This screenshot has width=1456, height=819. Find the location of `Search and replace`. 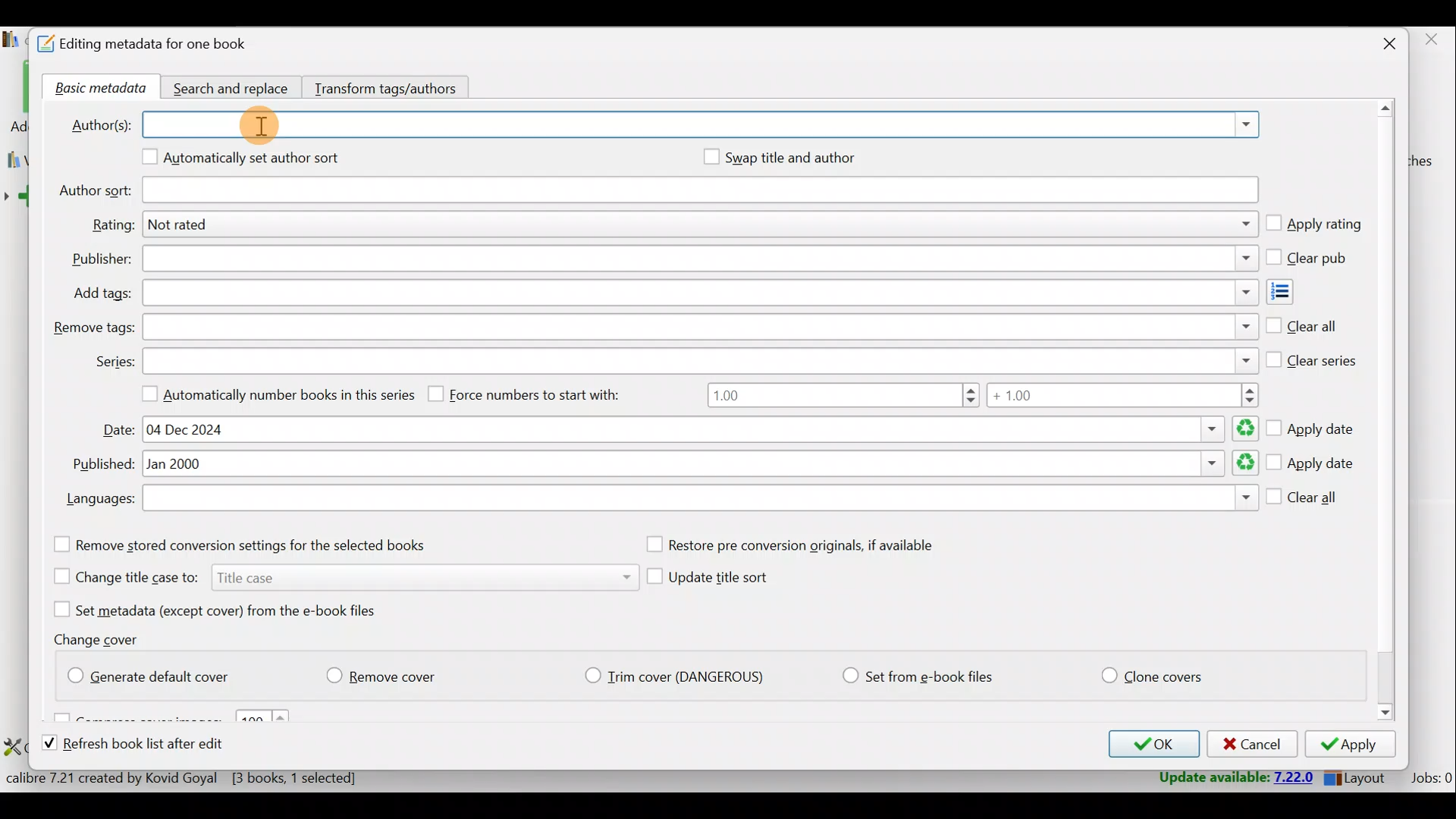

Search and replace is located at coordinates (233, 86).